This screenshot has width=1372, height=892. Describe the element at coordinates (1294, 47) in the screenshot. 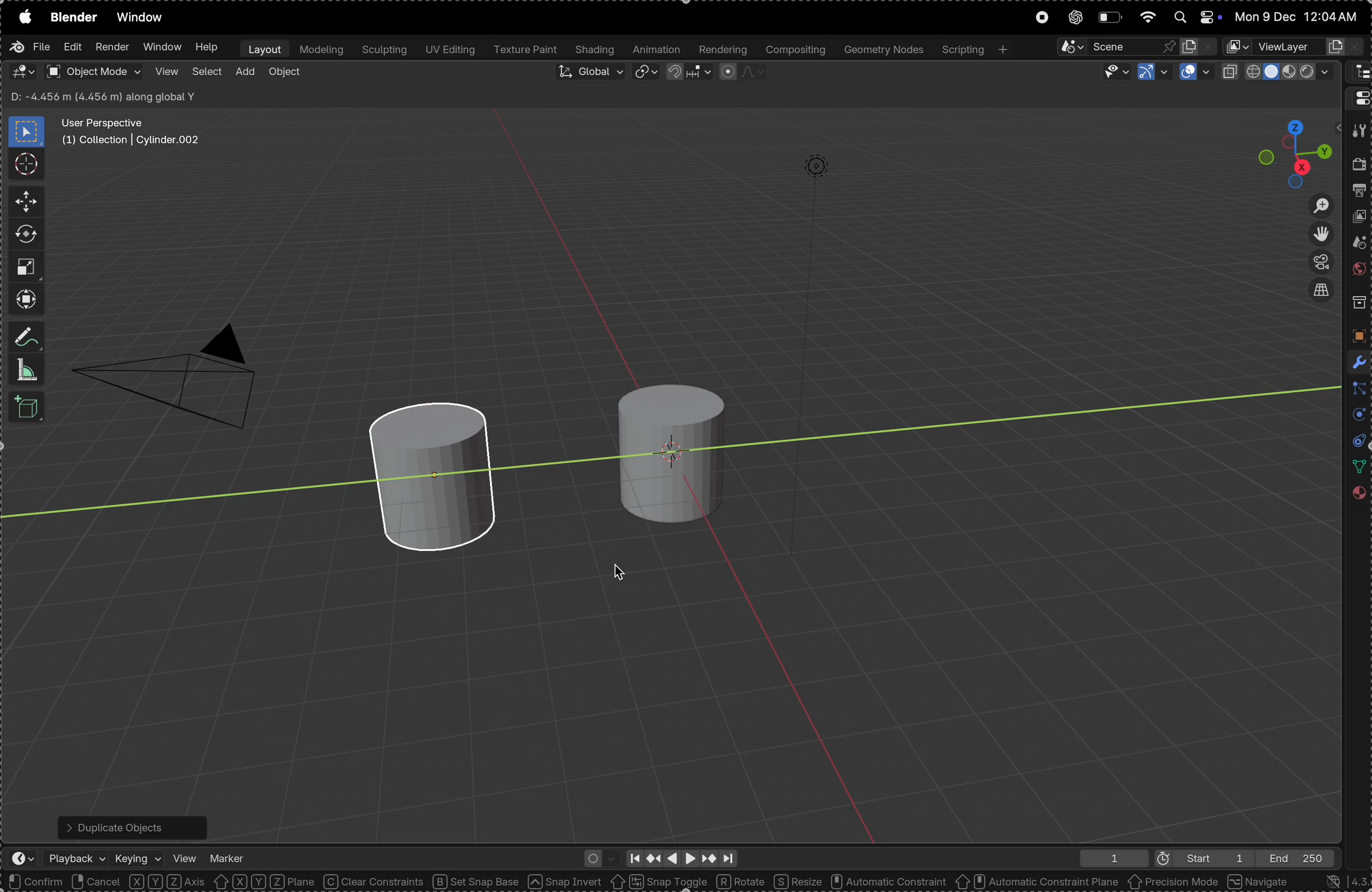

I see `vector layer` at that location.